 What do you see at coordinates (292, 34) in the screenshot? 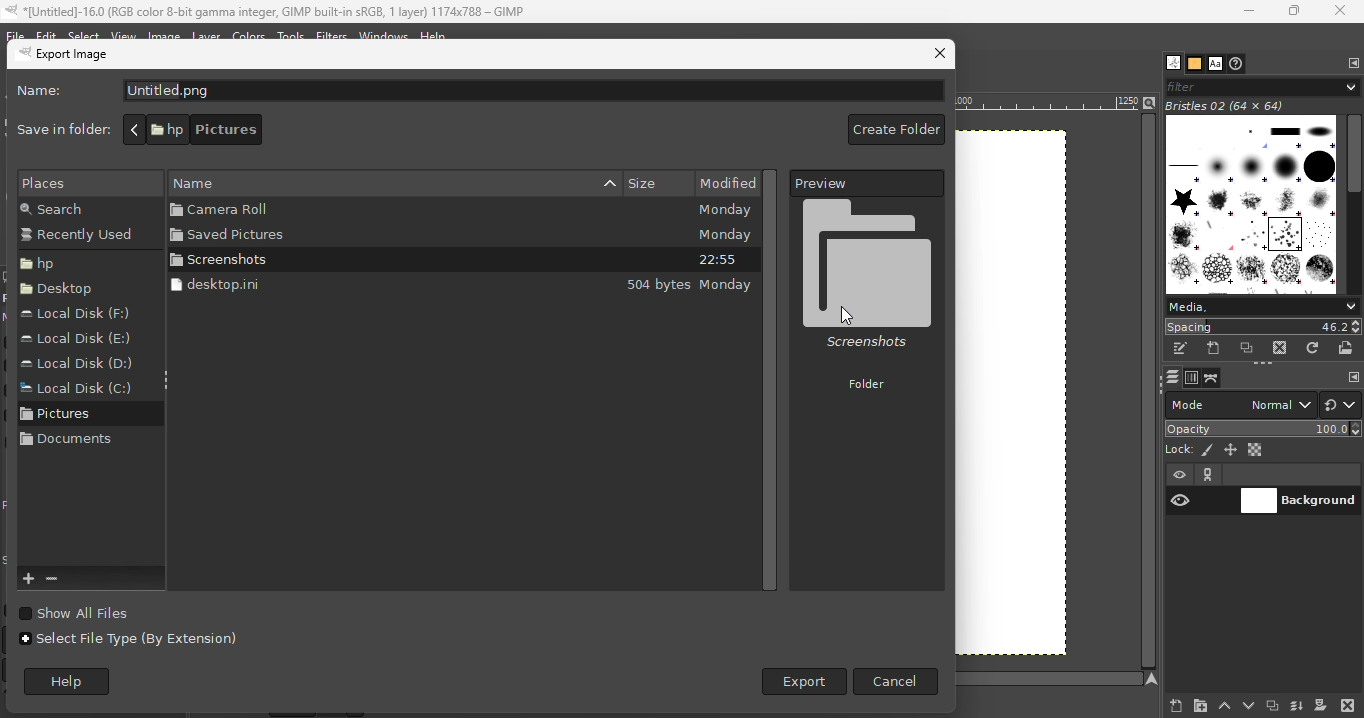
I see `Tools` at bounding box center [292, 34].